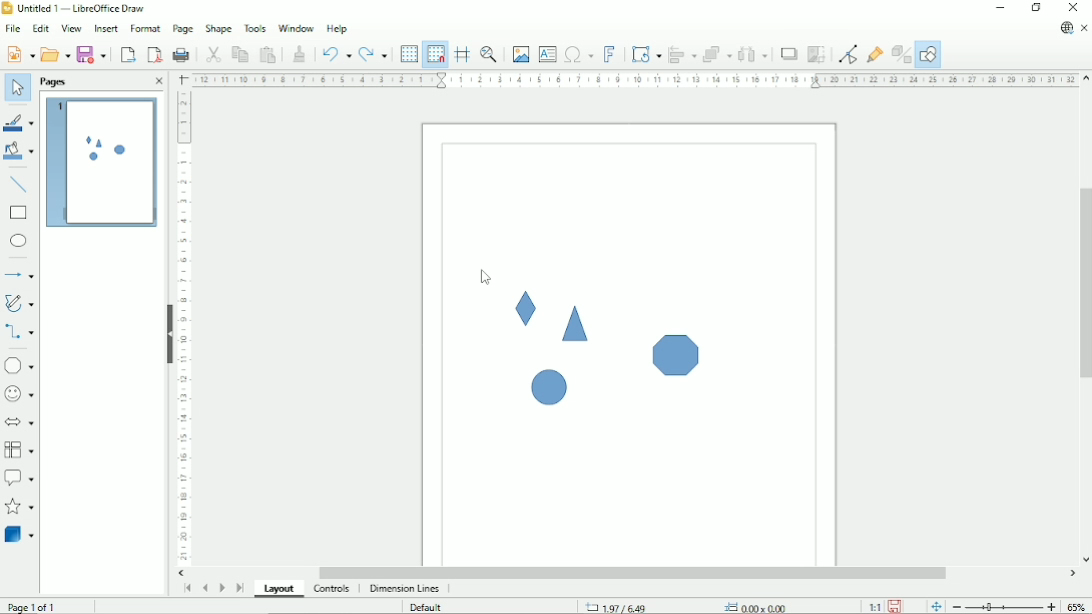 The image size is (1092, 614). What do you see at coordinates (268, 54) in the screenshot?
I see `Paste` at bounding box center [268, 54].